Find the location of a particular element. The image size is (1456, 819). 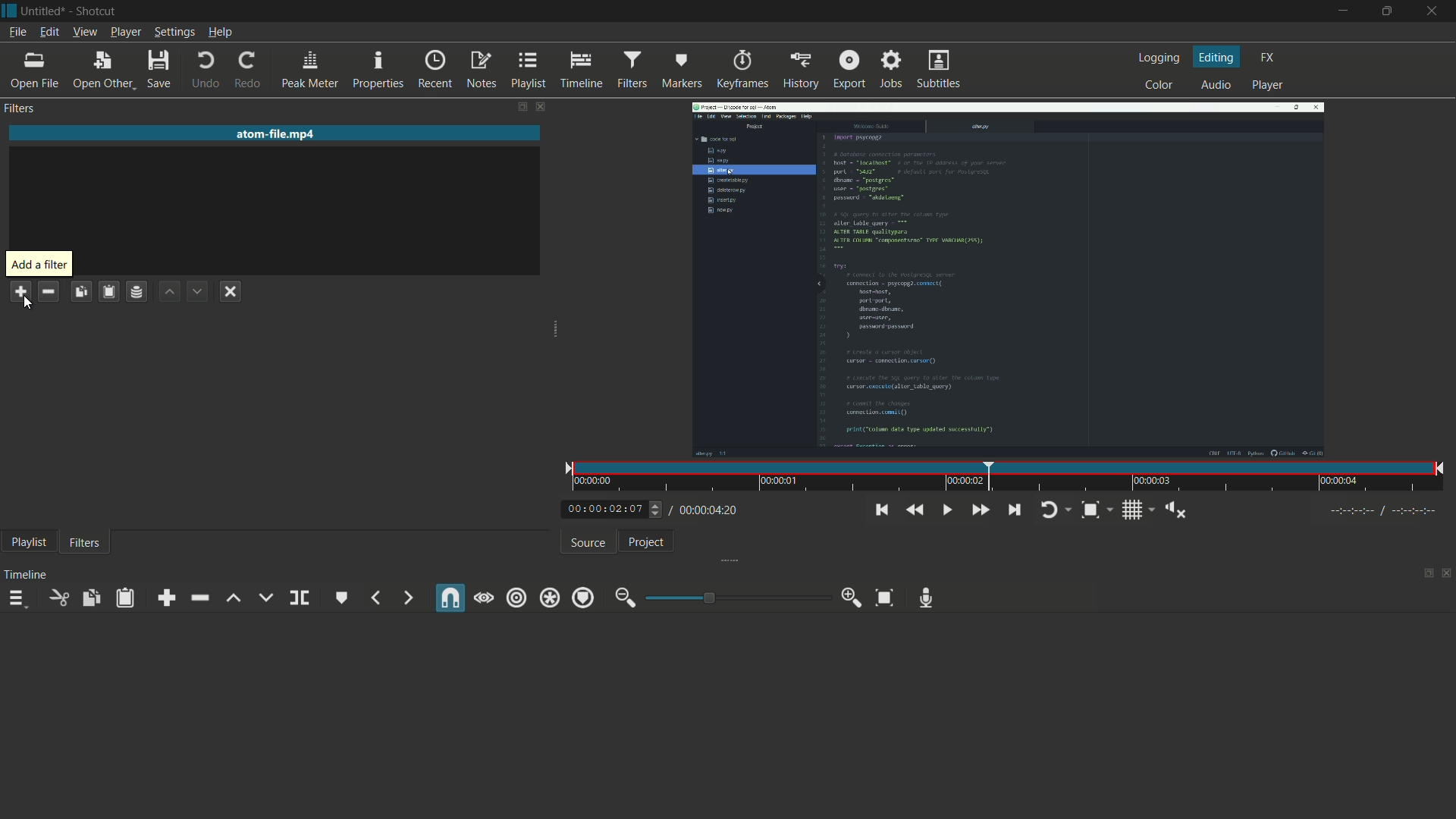

append is located at coordinates (165, 598).